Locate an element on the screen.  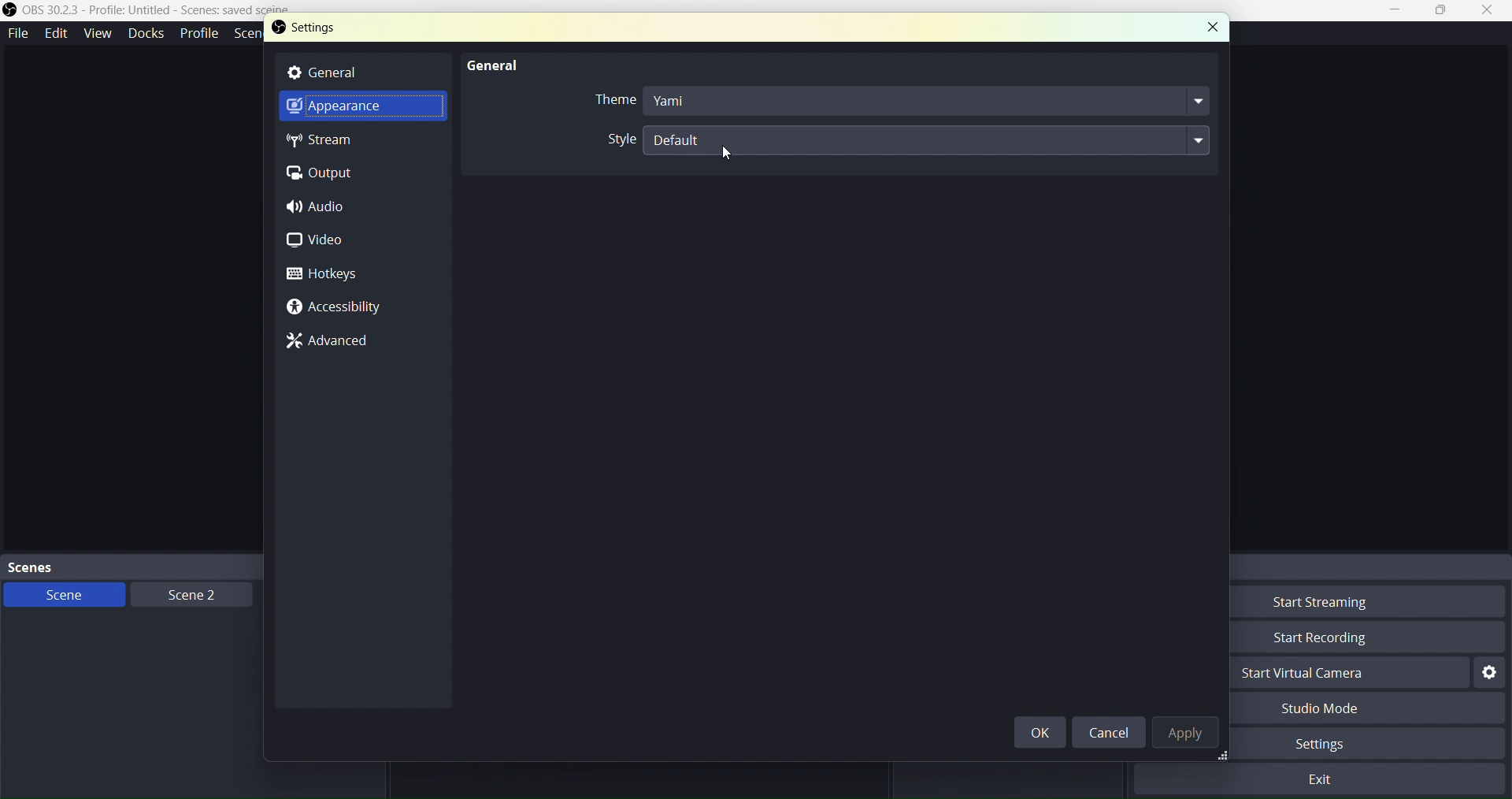
Stream is located at coordinates (336, 142).